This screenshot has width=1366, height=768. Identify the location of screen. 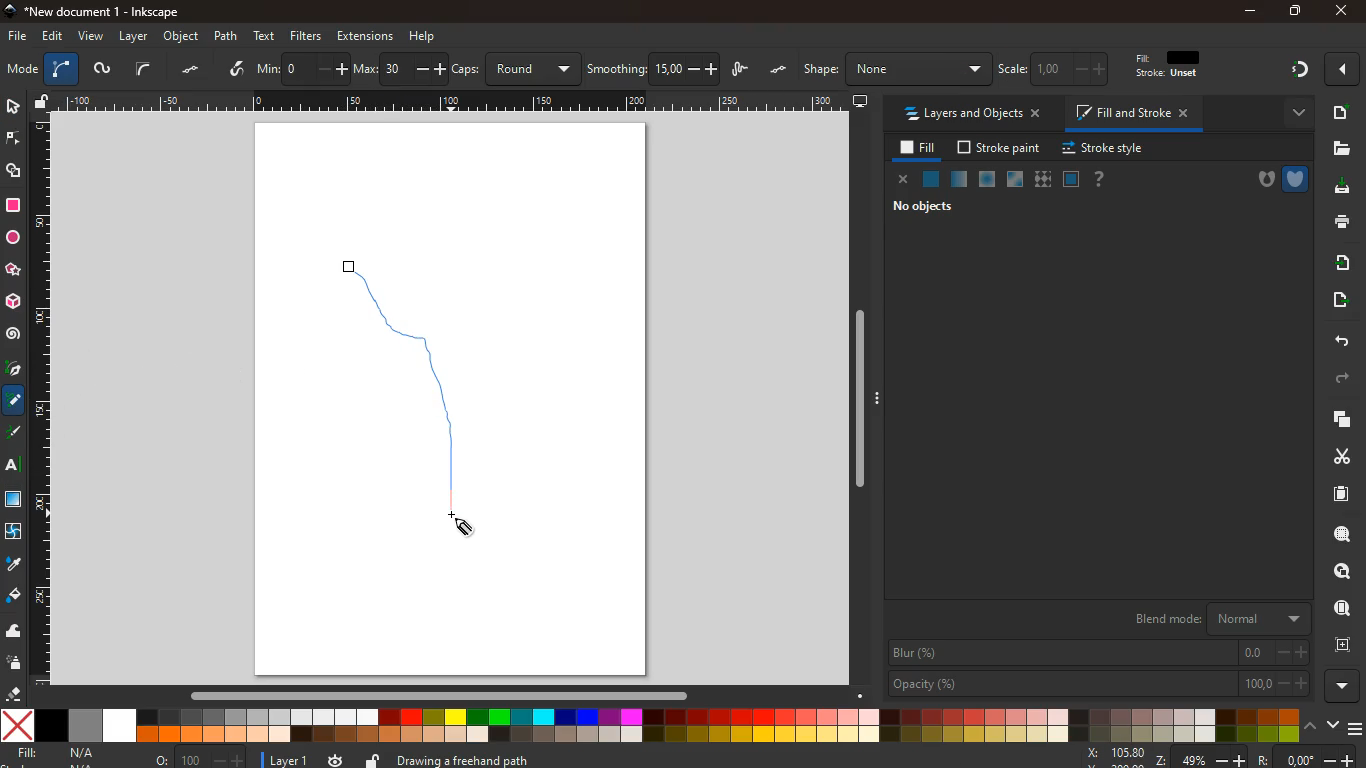
(20, 69).